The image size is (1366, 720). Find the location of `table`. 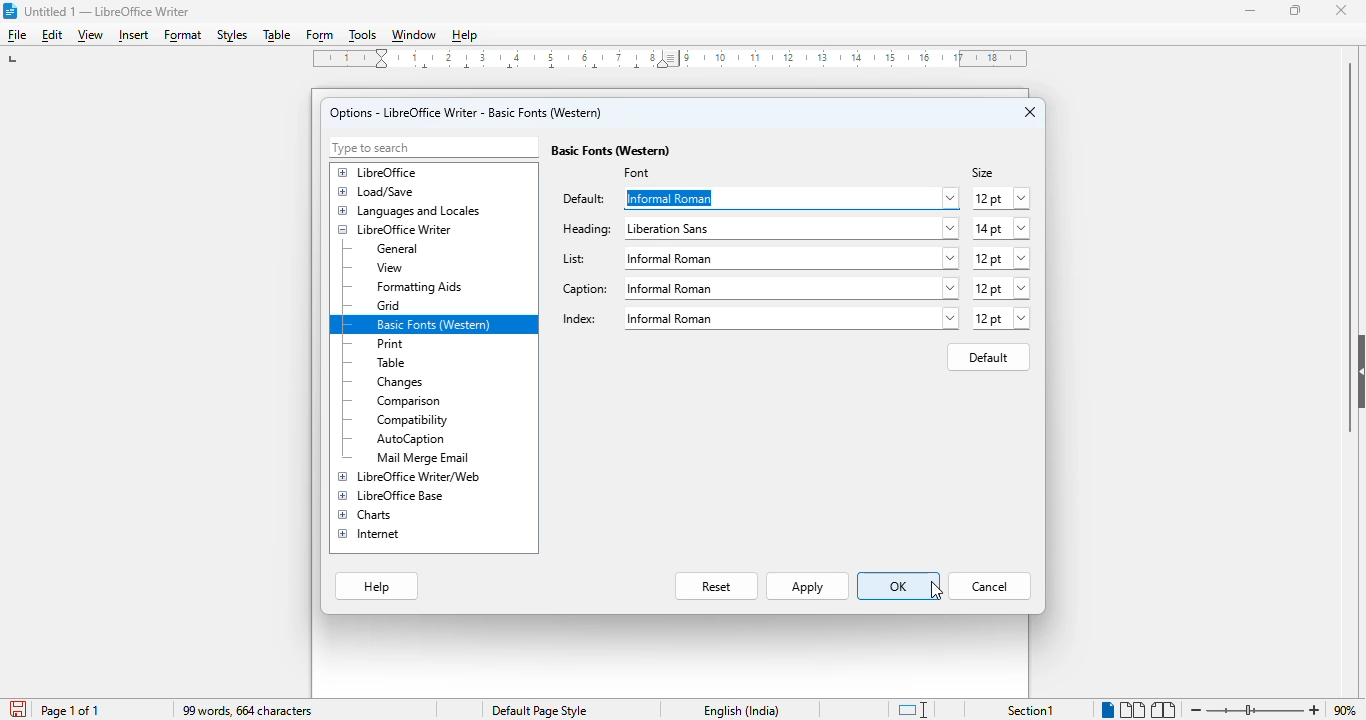

table is located at coordinates (276, 35).